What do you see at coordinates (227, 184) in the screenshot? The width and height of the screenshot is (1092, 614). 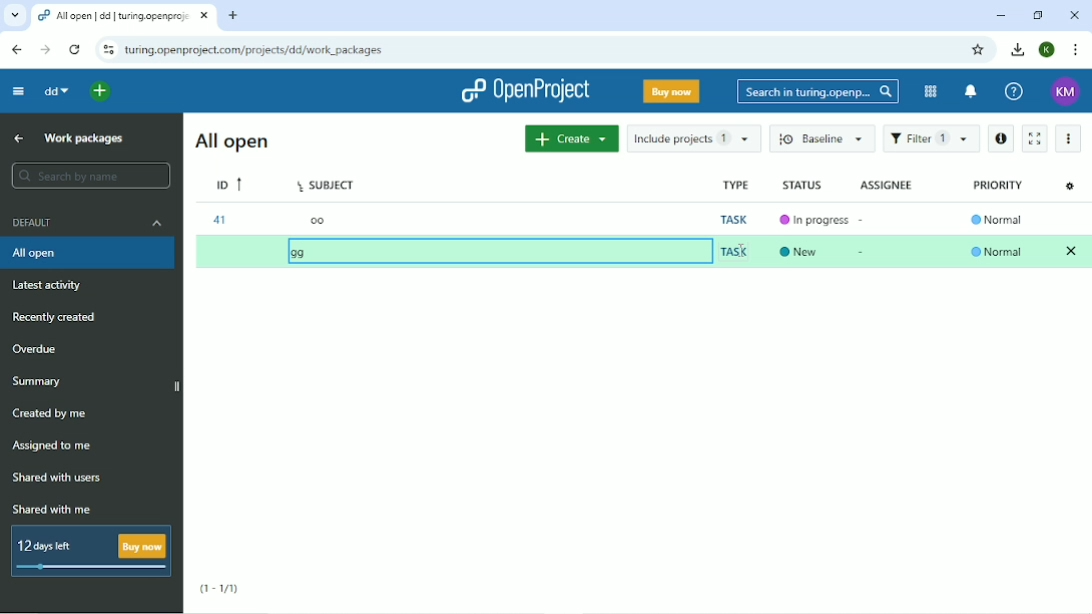 I see `ID` at bounding box center [227, 184].